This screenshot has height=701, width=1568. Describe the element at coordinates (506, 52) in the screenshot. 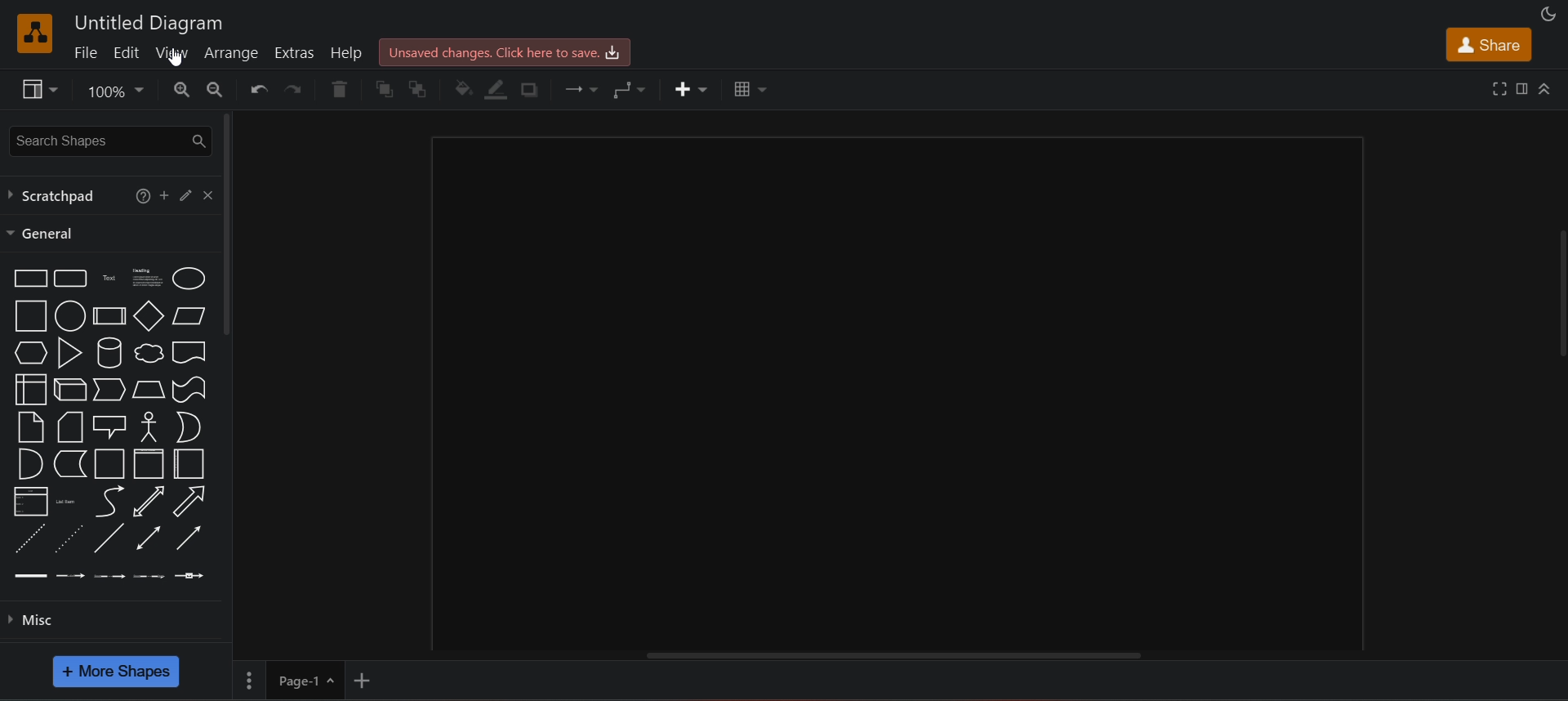

I see `click here to save.` at that location.